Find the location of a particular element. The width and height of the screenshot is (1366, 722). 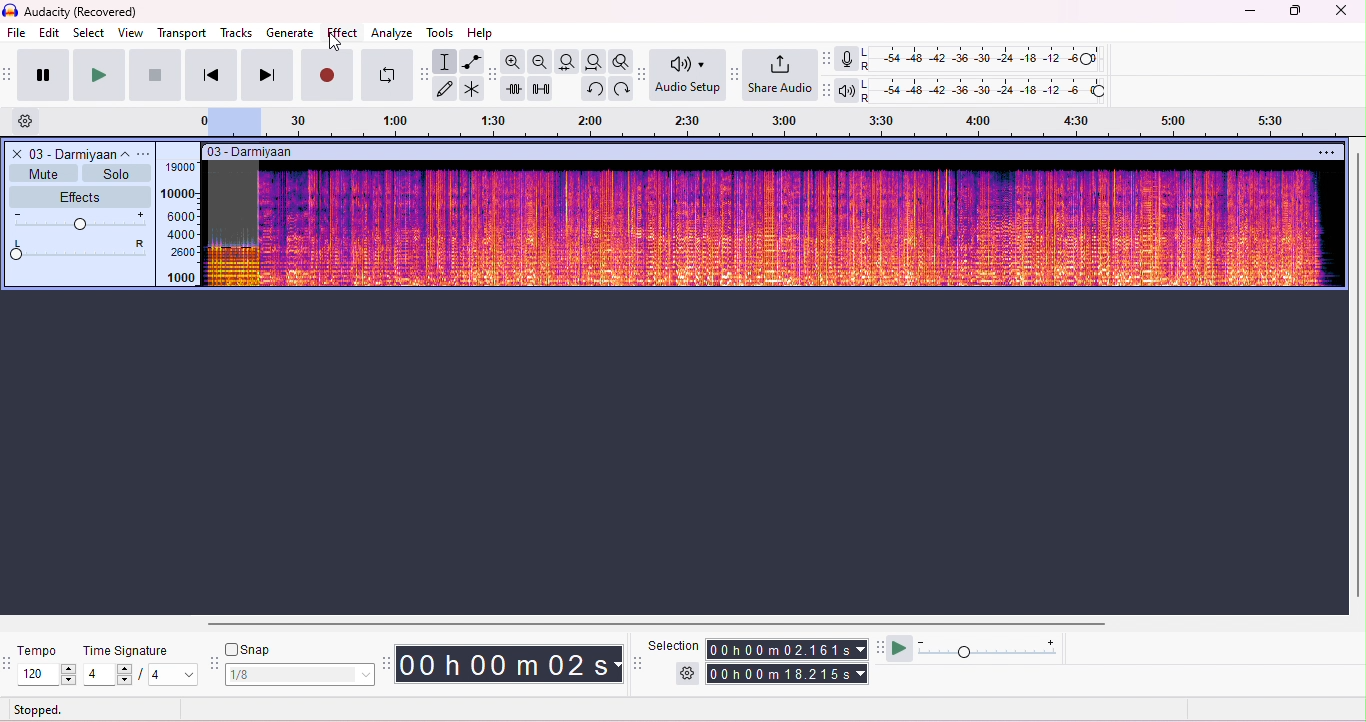

file is located at coordinates (16, 32).